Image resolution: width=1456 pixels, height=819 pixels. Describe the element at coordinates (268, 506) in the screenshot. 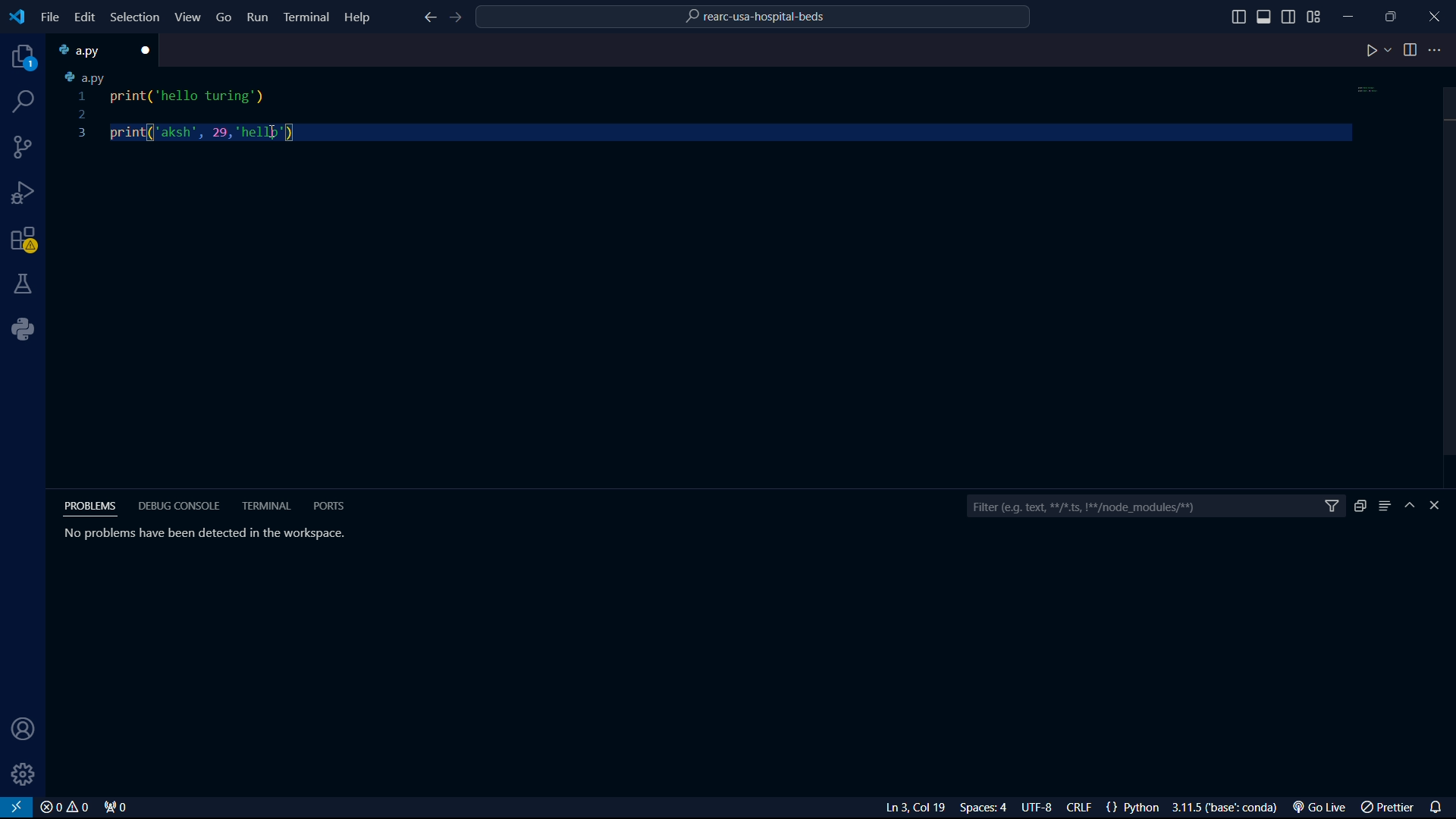

I see `terminal` at that location.